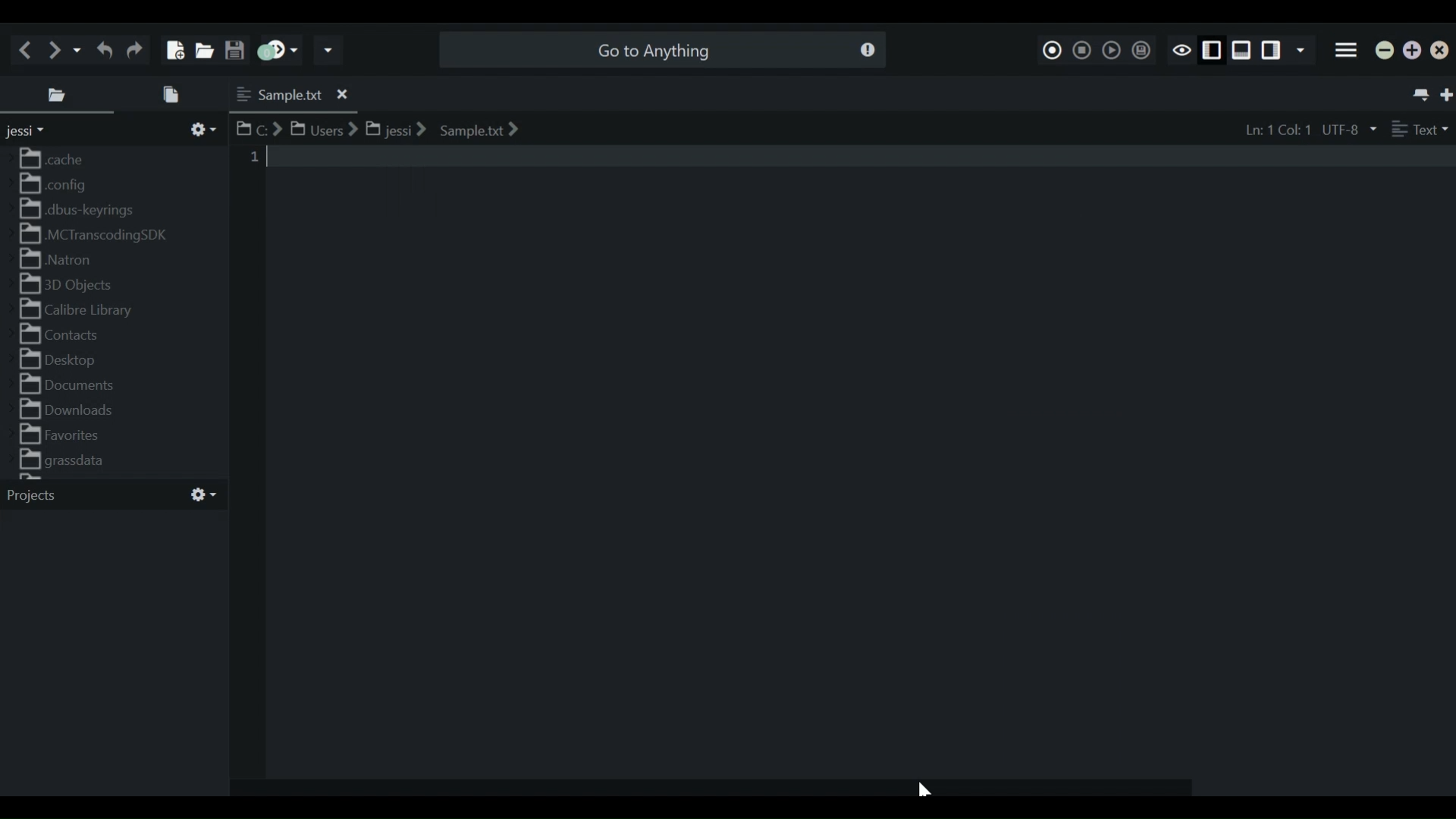  I want to click on List all tabs, so click(1419, 94).